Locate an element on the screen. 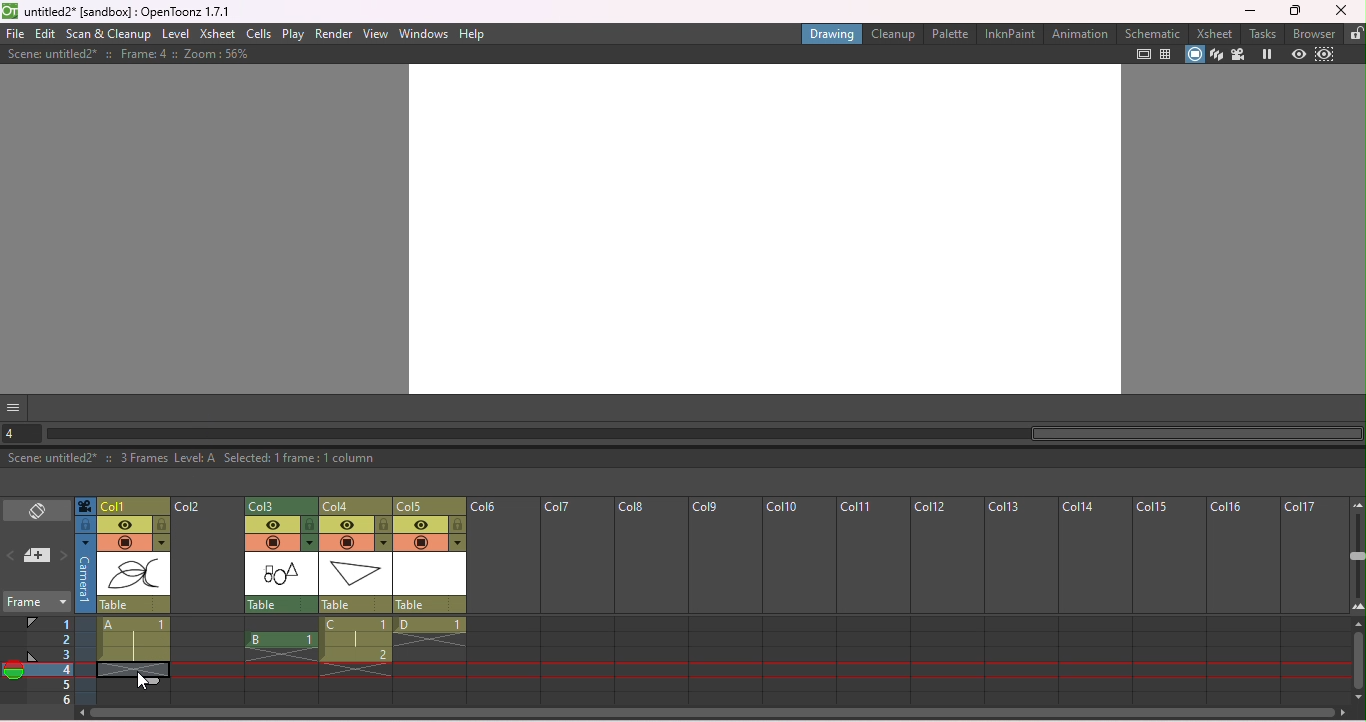 This screenshot has width=1366, height=722. Lock rooms lock is located at coordinates (1355, 33).